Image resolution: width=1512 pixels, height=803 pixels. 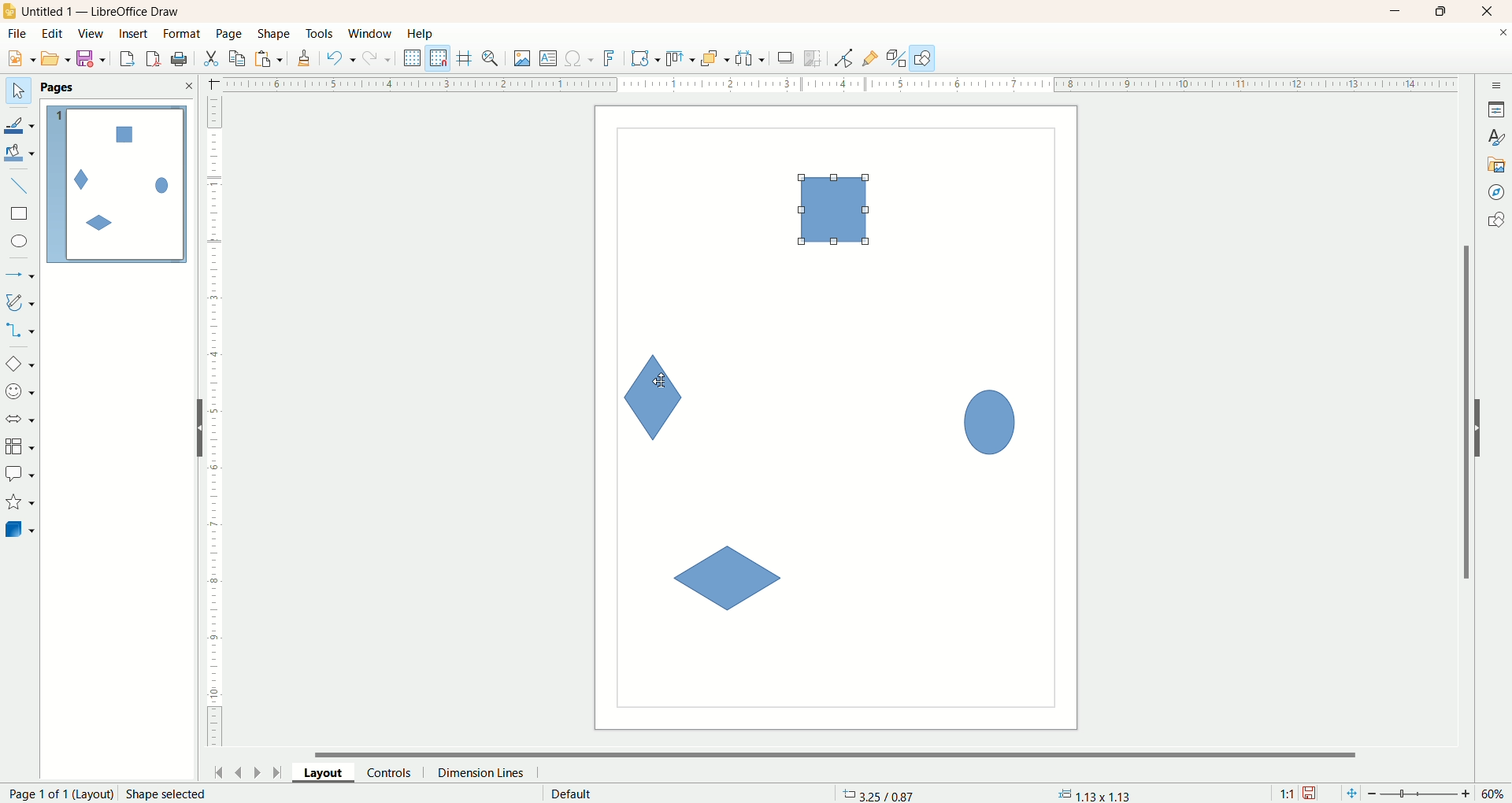 What do you see at coordinates (523, 59) in the screenshot?
I see `insert image` at bounding box center [523, 59].